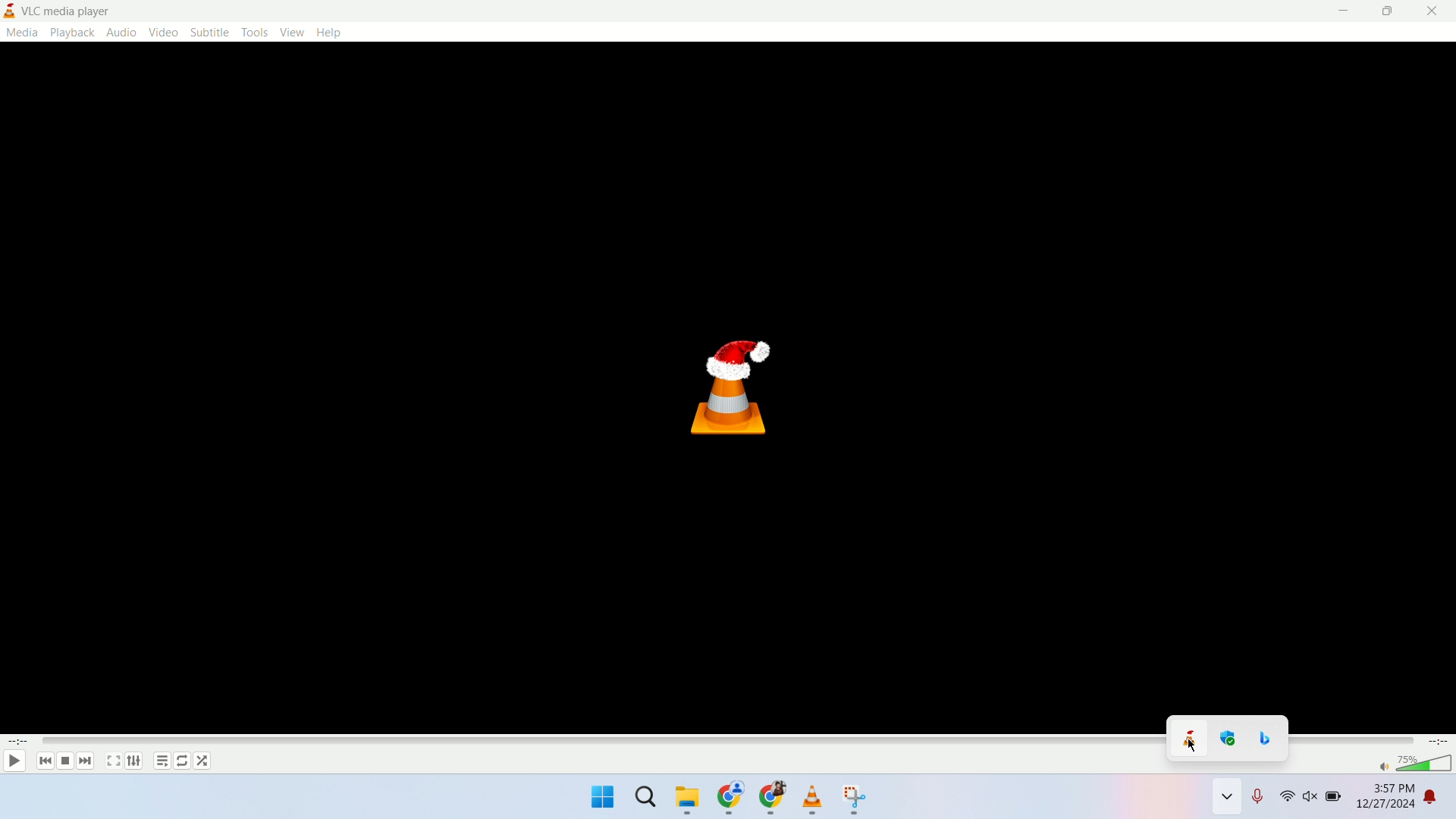  I want to click on VLC media player logo, so click(731, 391).